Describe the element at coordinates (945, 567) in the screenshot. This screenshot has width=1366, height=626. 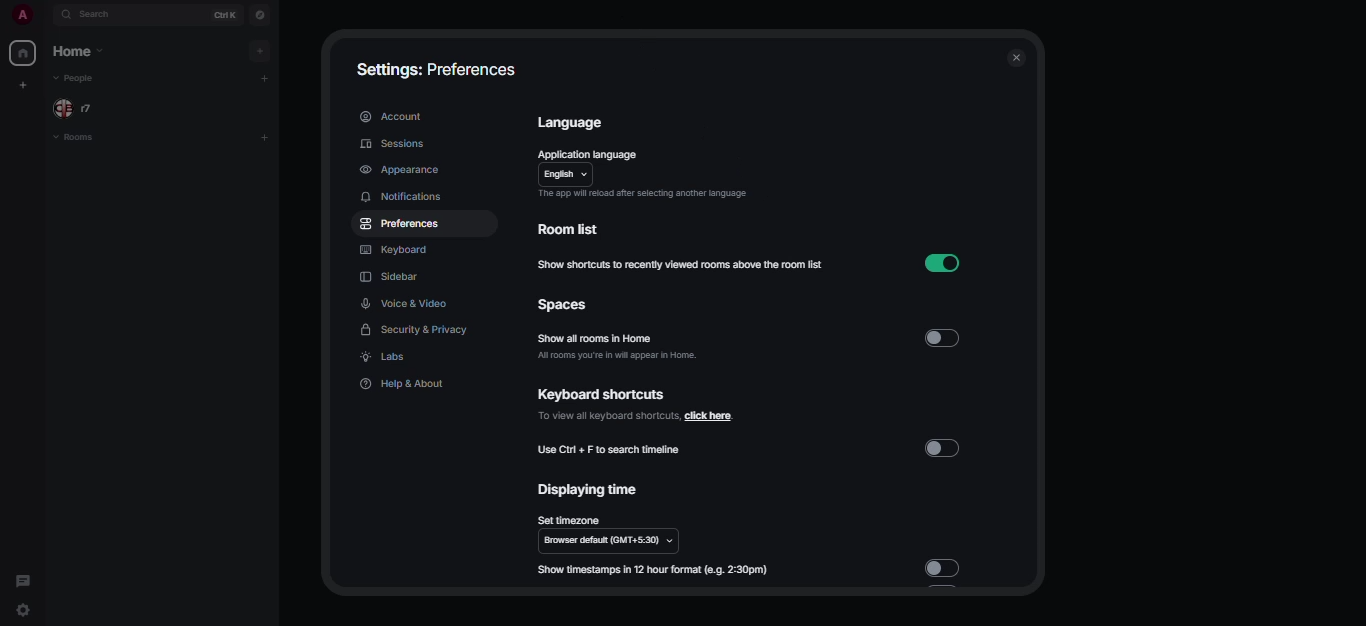
I see `disabled` at that location.